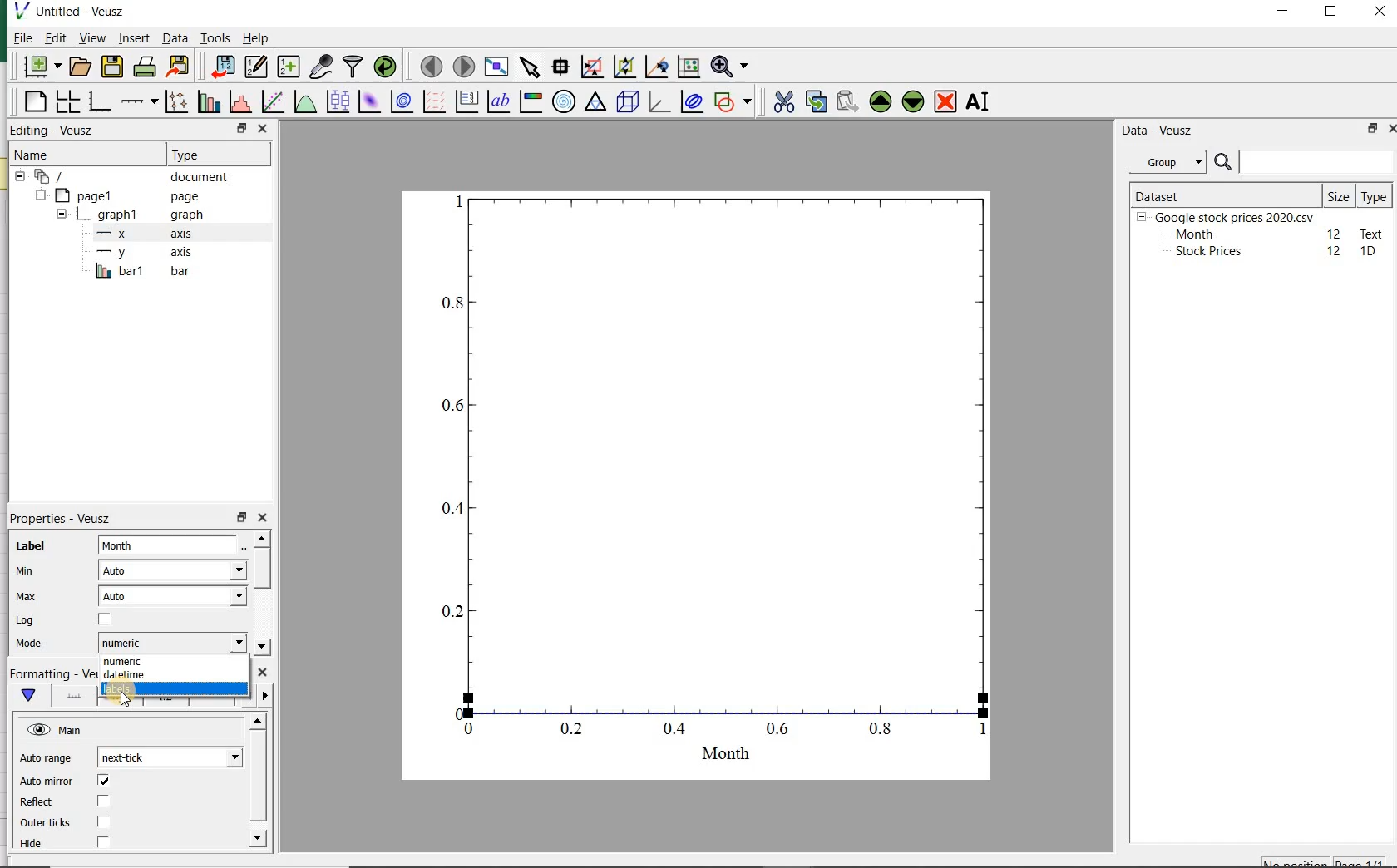 Image resolution: width=1397 pixels, height=868 pixels. Describe the element at coordinates (261, 594) in the screenshot. I see `scrollbar` at that location.